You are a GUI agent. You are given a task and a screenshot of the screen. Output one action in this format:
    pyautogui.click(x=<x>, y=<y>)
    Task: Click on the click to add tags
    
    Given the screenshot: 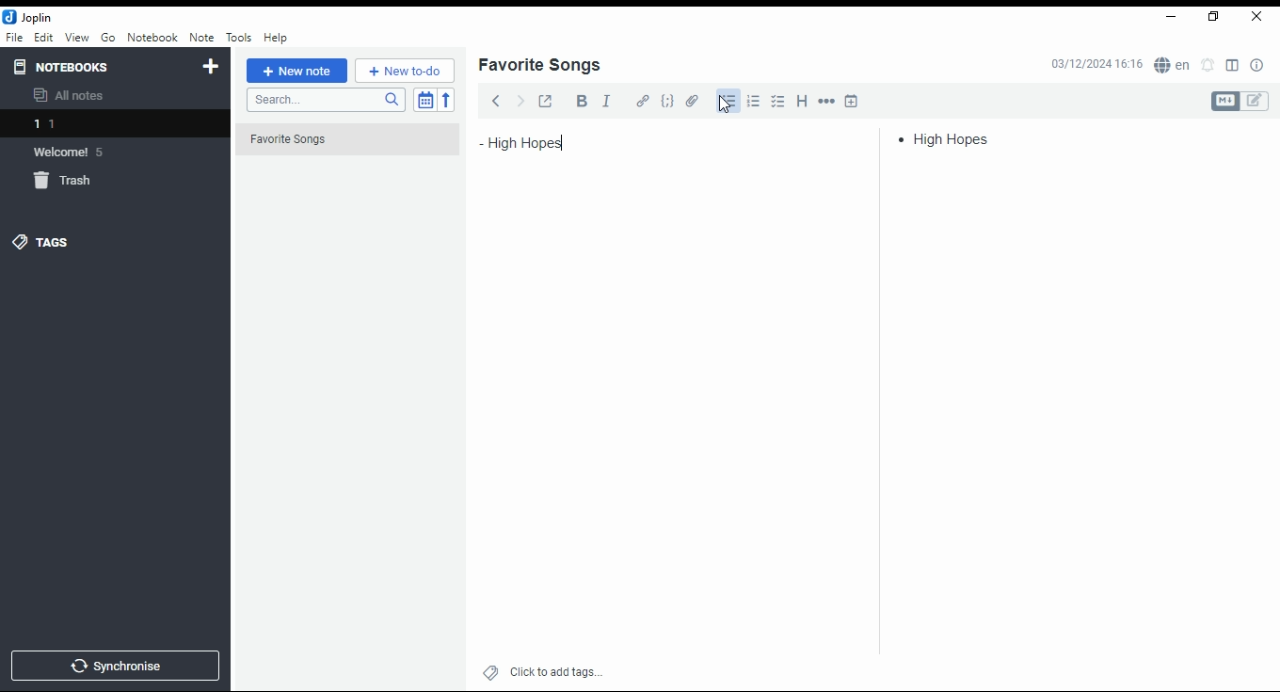 What is the action you would take?
    pyautogui.click(x=556, y=669)
    